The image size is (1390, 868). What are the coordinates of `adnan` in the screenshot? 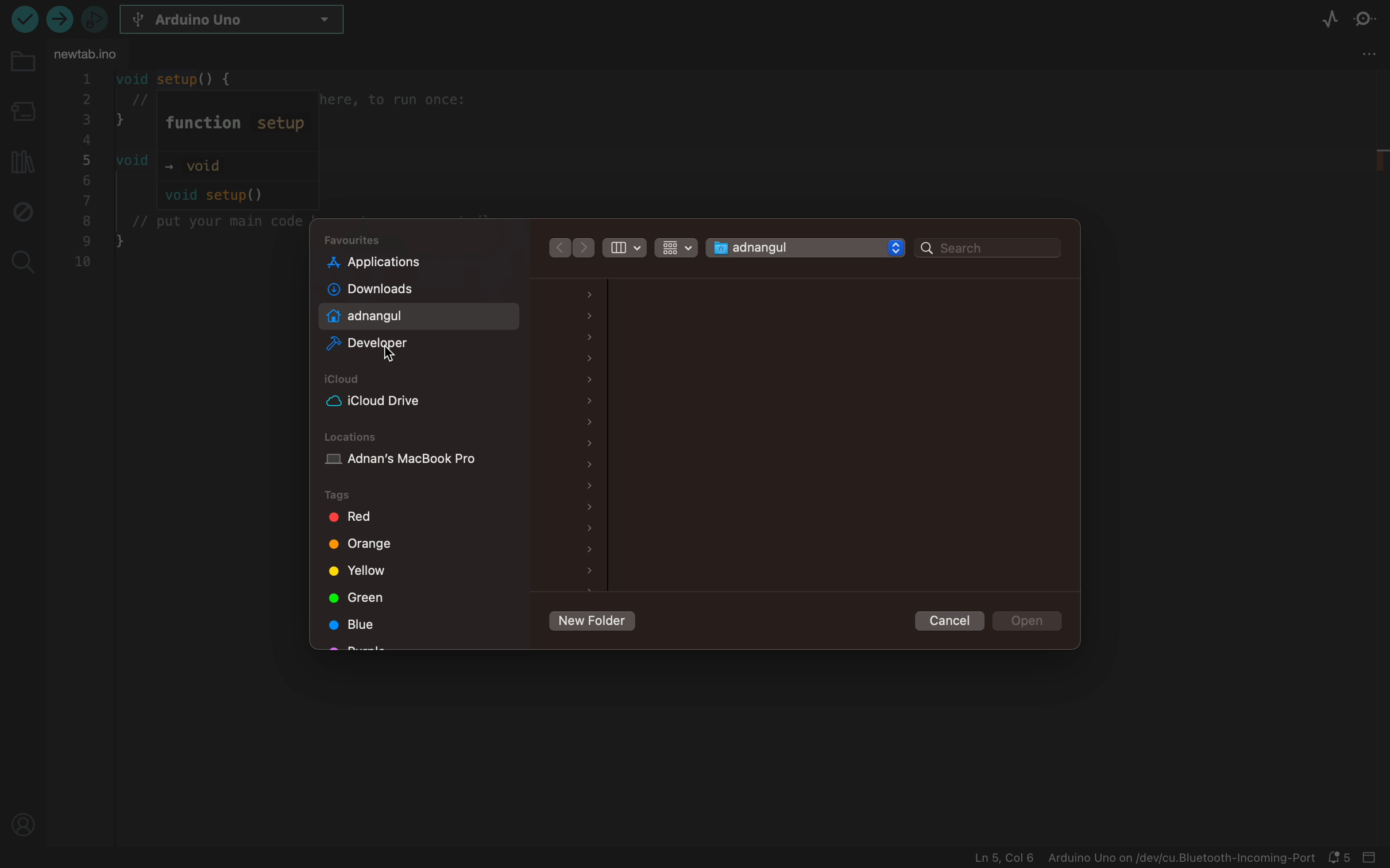 It's located at (400, 316).